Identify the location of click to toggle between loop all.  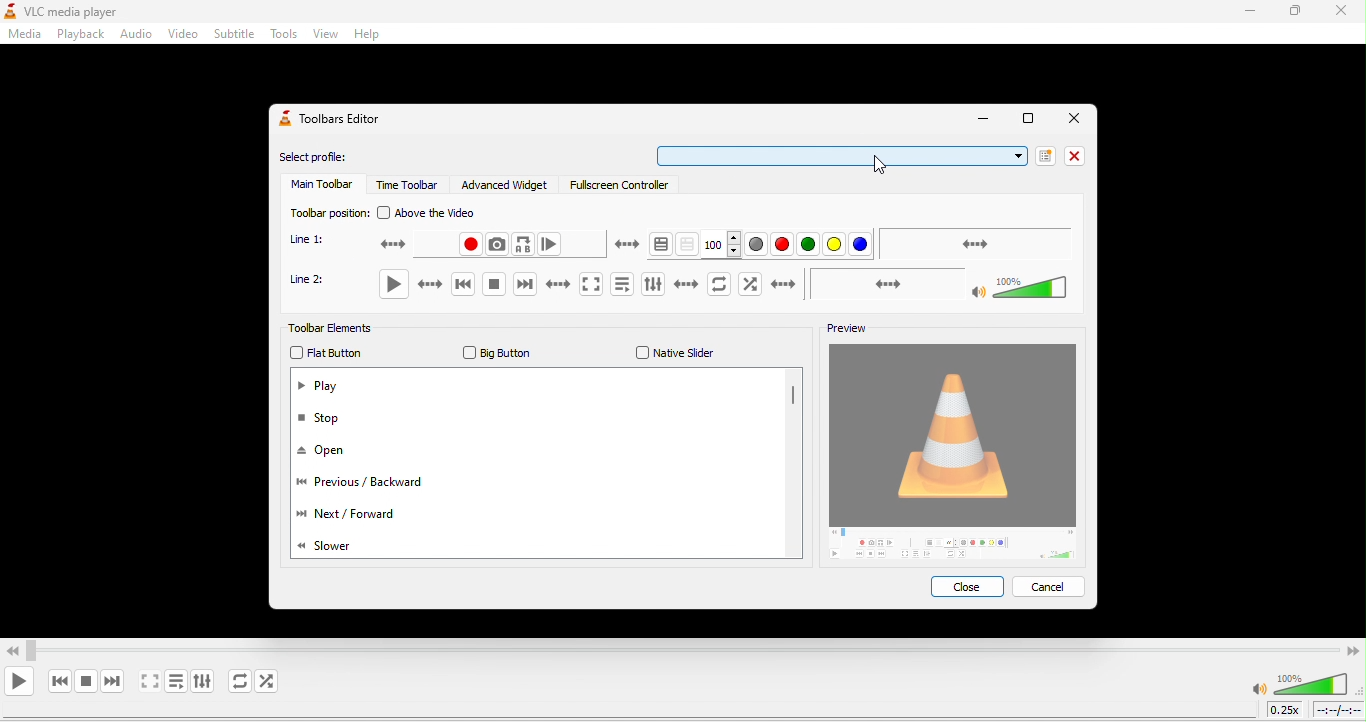
(236, 682).